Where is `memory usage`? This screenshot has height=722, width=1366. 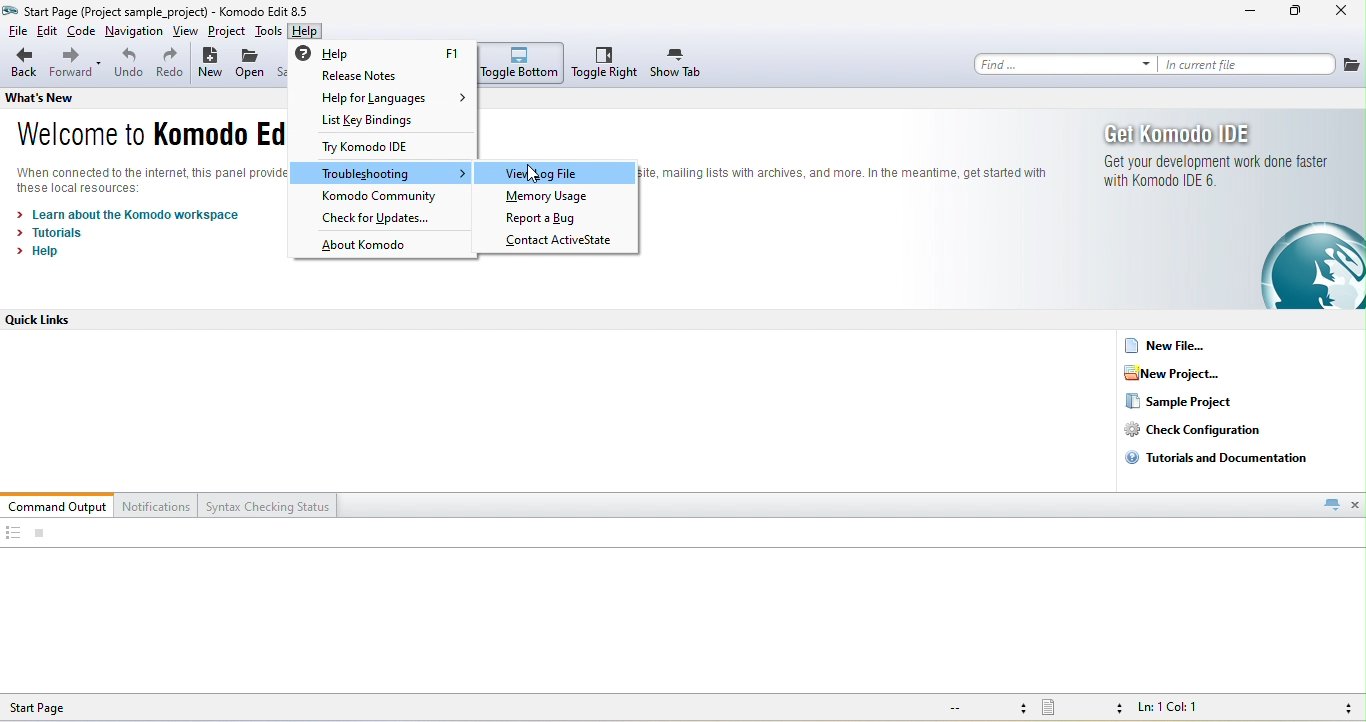
memory usage is located at coordinates (551, 198).